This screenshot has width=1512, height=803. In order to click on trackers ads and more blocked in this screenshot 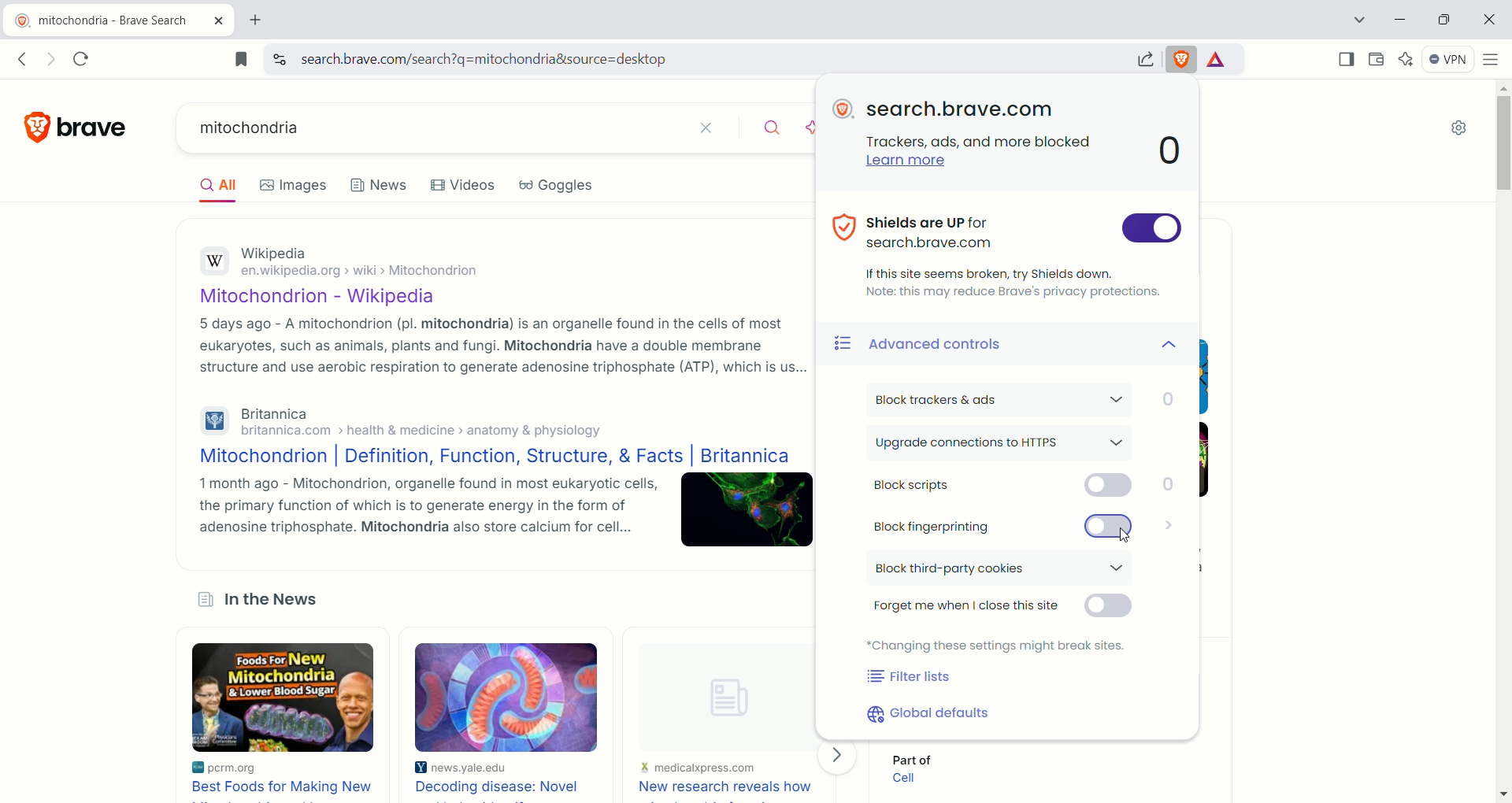, I will do `click(974, 140)`.